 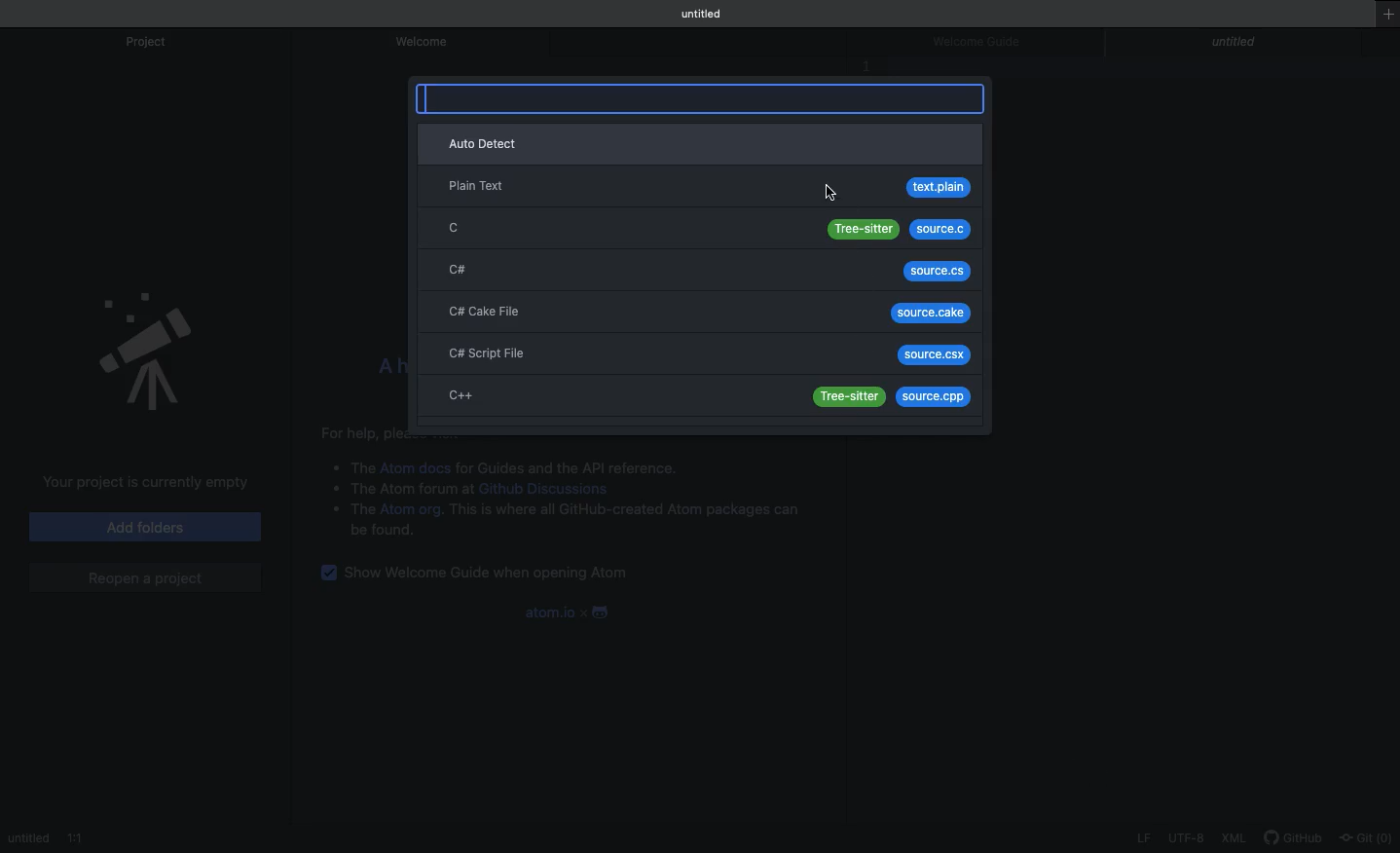 What do you see at coordinates (393, 488) in the screenshot?
I see `list item` at bounding box center [393, 488].